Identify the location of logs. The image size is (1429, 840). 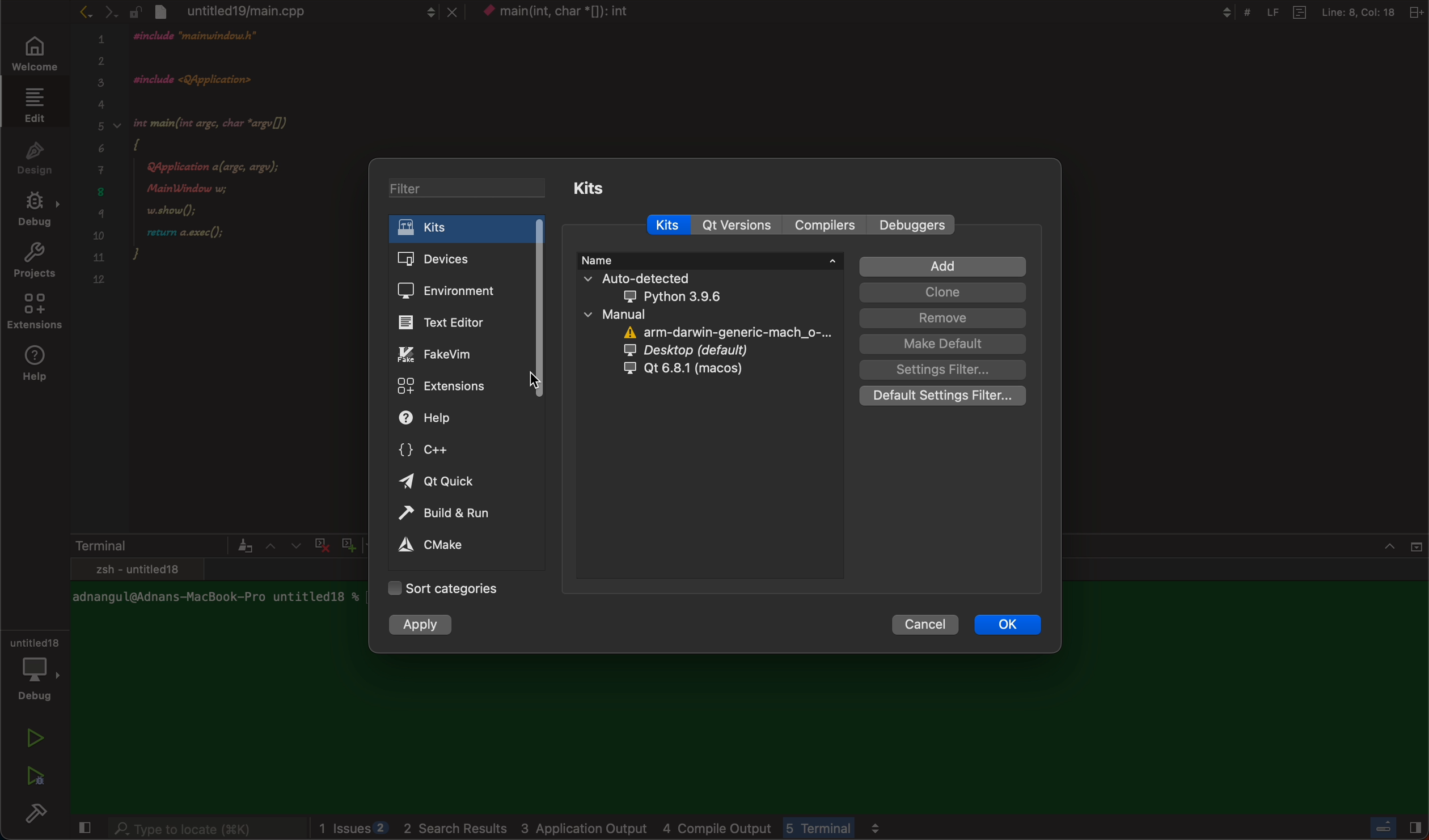
(674, 829).